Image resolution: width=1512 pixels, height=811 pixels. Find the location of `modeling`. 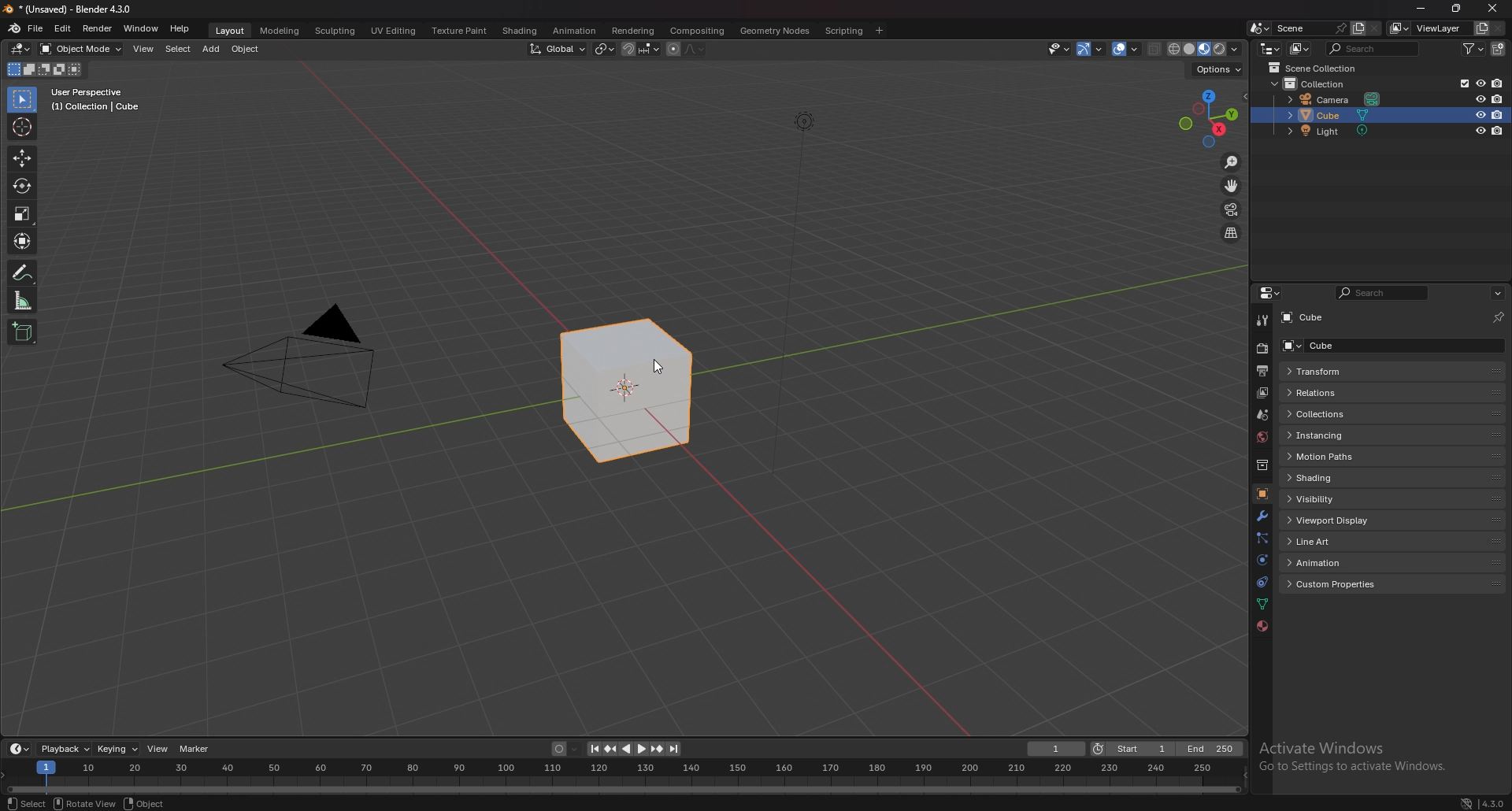

modeling is located at coordinates (280, 30).